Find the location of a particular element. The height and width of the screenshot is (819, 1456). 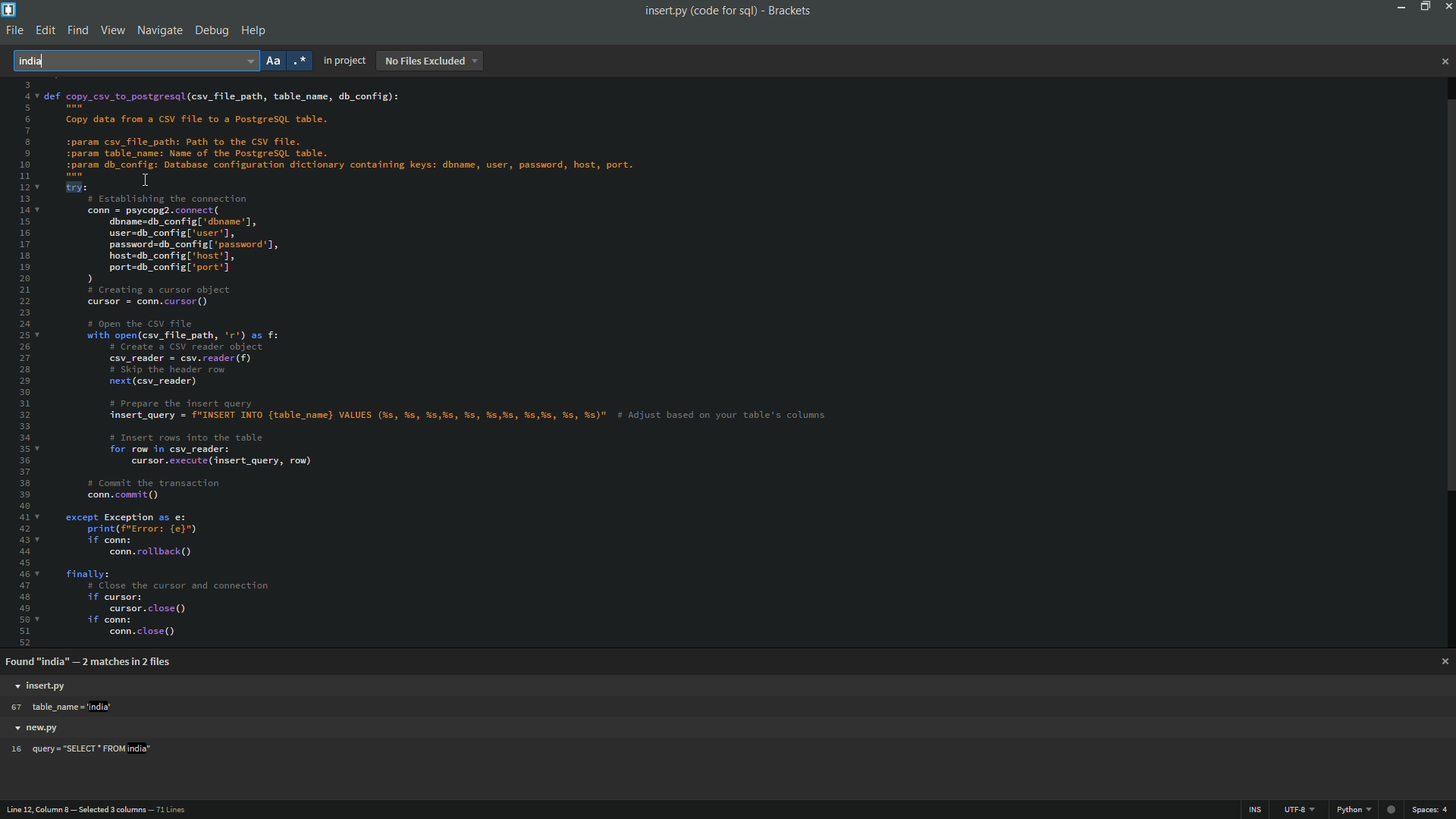

file format is located at coordinates (1357, 811).